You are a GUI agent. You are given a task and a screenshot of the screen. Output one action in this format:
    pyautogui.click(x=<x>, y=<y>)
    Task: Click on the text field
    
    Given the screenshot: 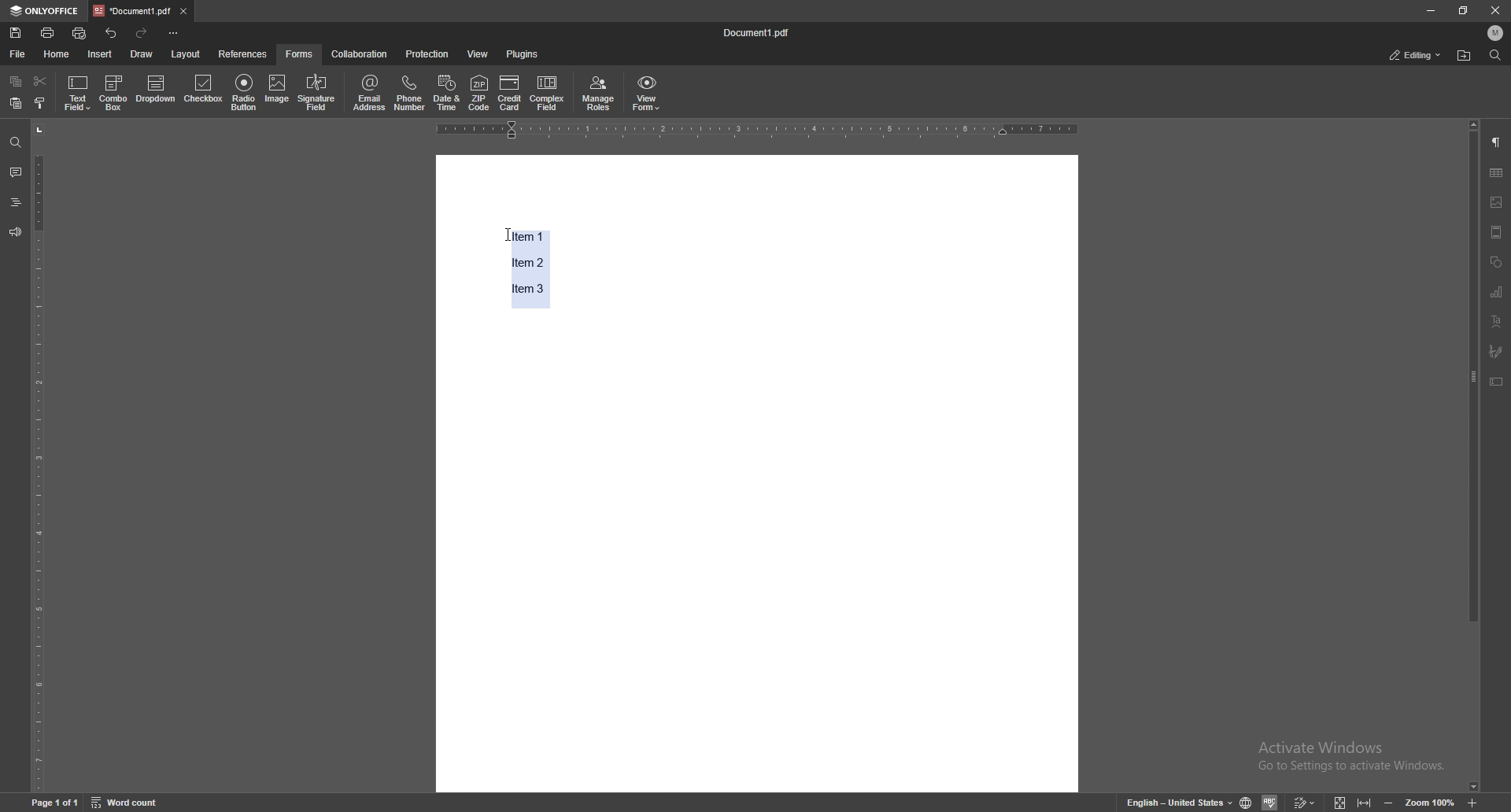 What is the action you would take?
    pyautogui.click(x=77, y=94)
    